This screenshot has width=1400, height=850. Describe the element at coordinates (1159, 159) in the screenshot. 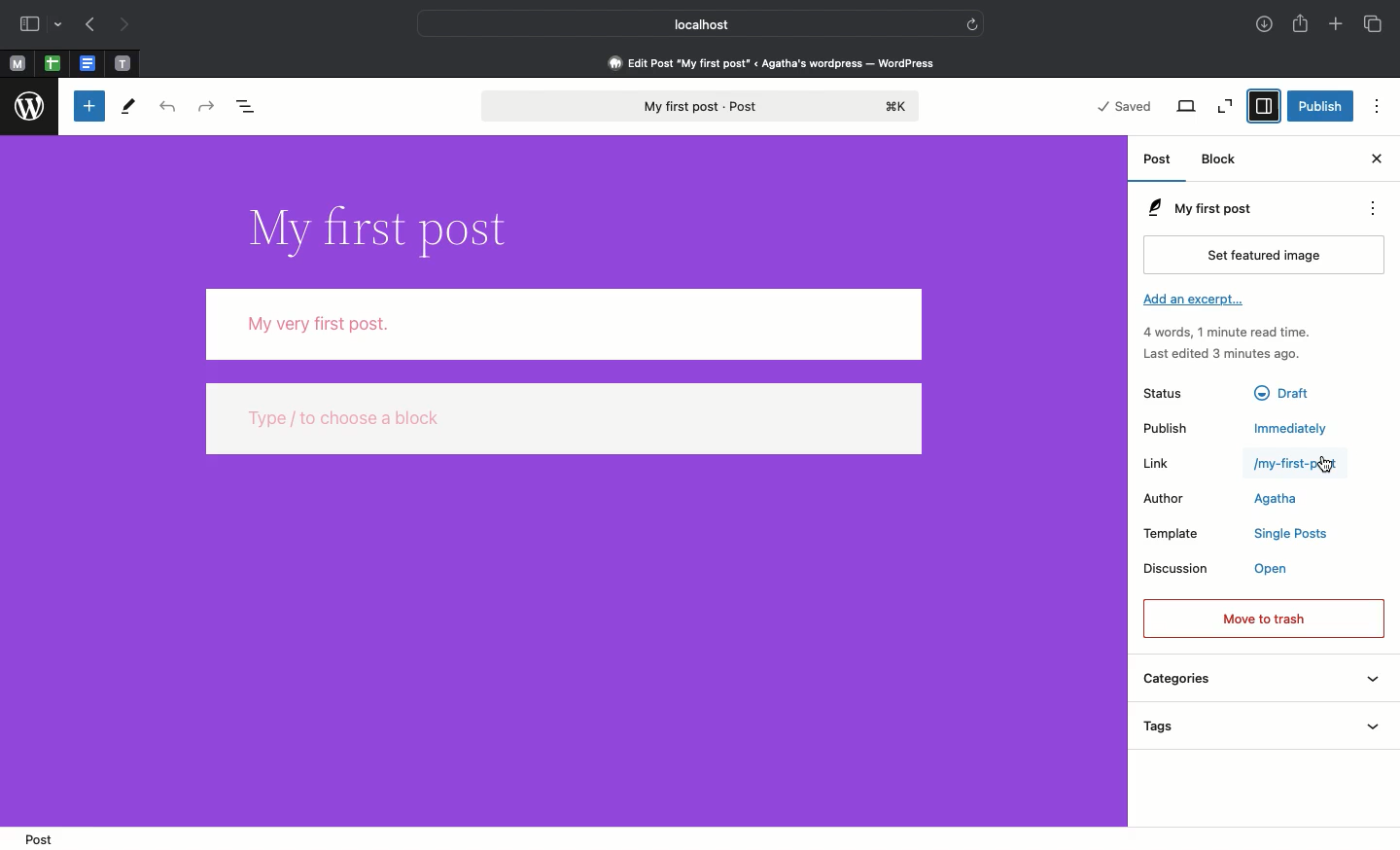

I see `Post` at that location.